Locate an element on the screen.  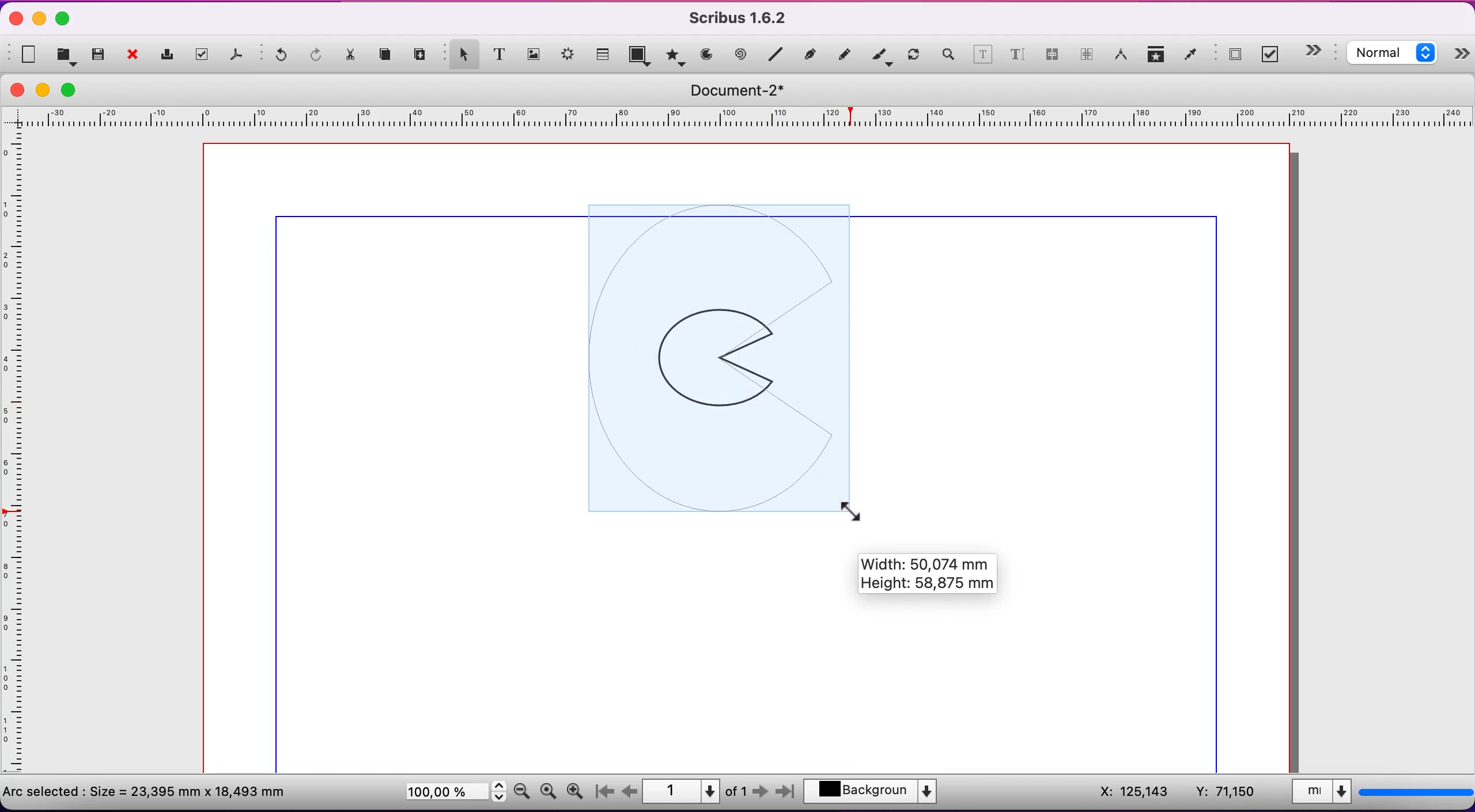
arc is located at coordinates (706, 55).